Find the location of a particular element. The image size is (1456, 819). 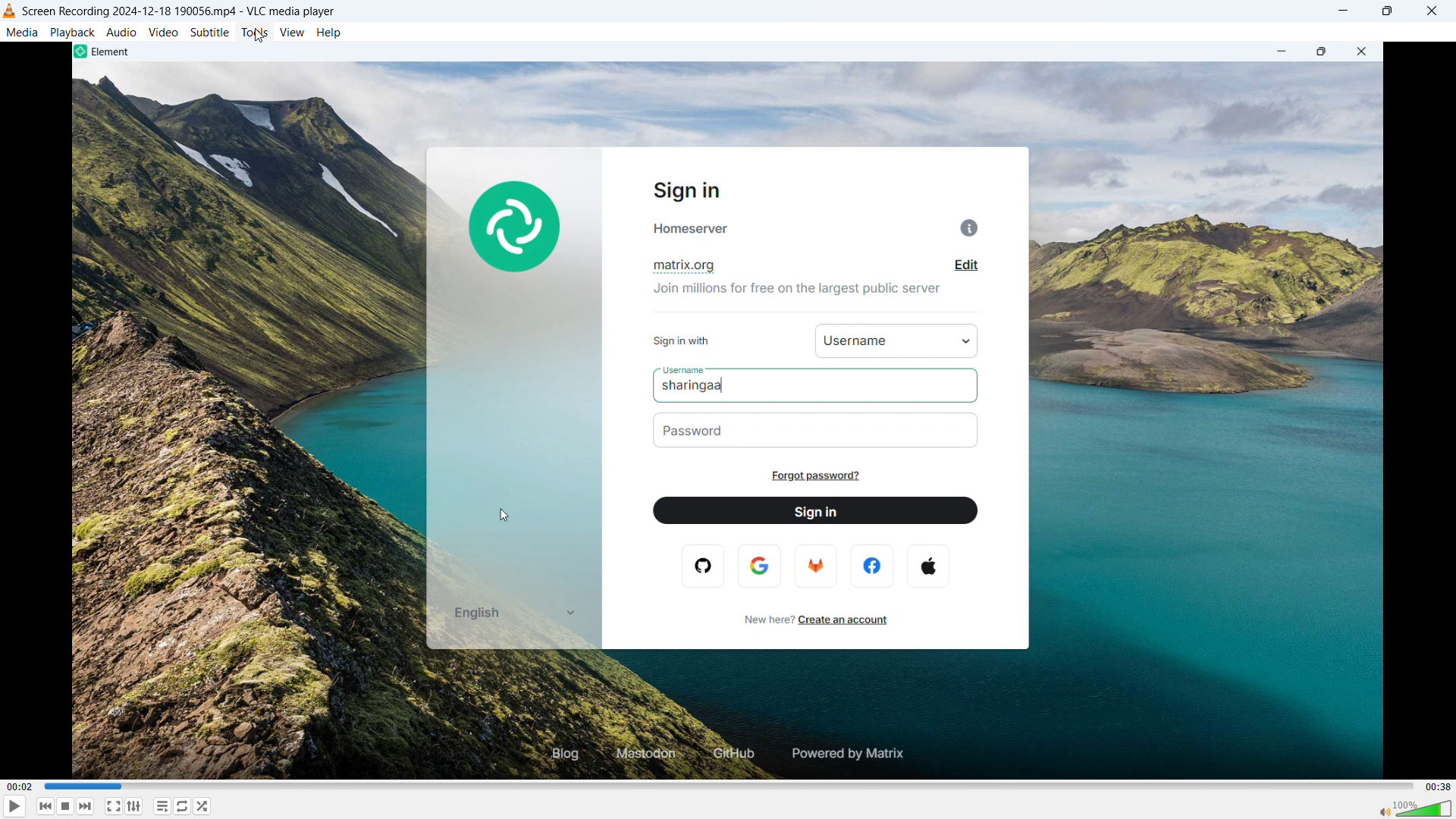

edit is located at coordinates (967, 265).